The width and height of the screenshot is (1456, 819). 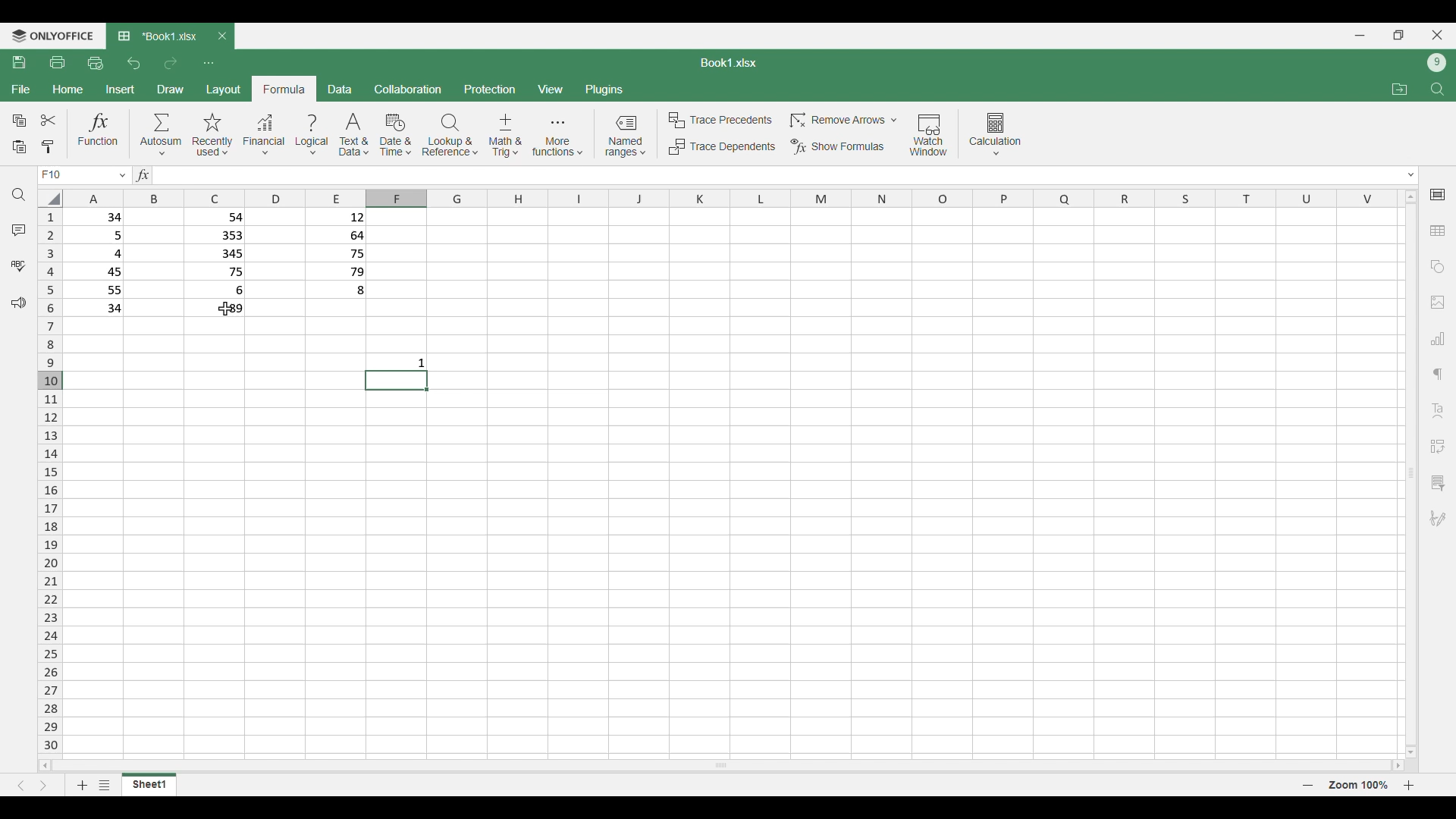 I want to click on Cut, so click(x=49, y=120).